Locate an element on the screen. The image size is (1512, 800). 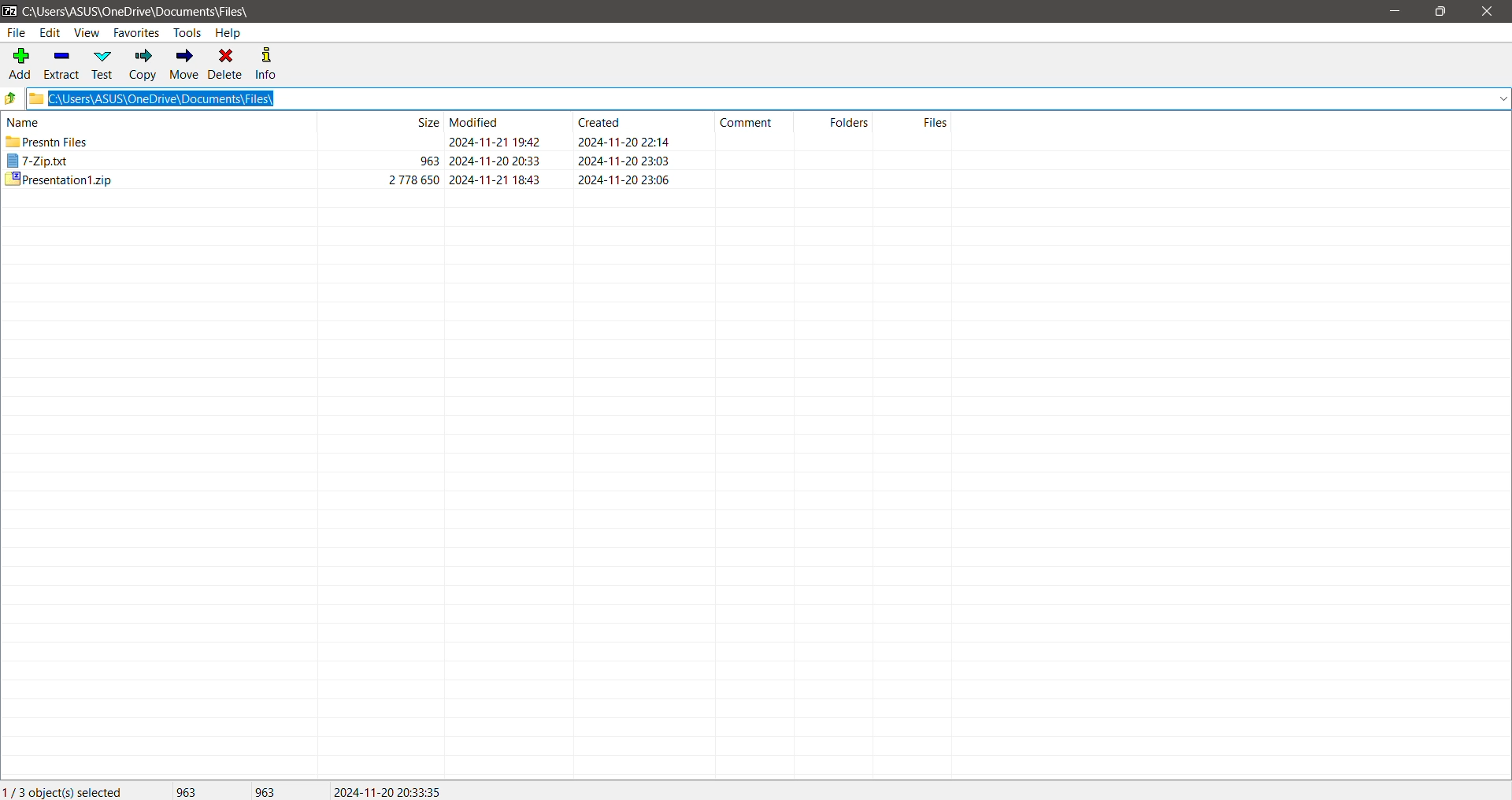
Current Folder Path is located at coordinates (138, 12).